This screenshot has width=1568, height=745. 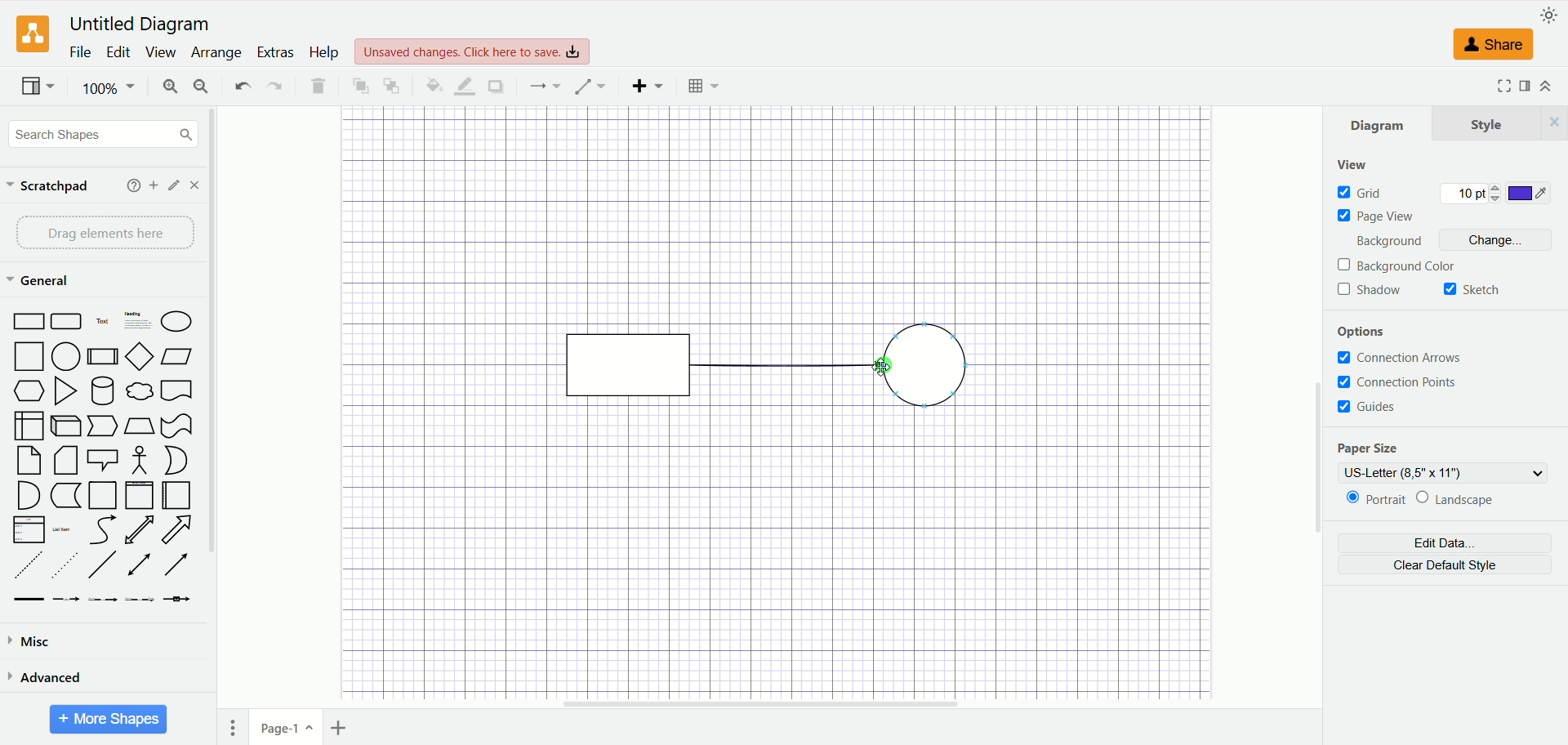 What do you see at coordinates (1501, 239) in the screenshot?
I see `change` at bounding box center [1501, 239].